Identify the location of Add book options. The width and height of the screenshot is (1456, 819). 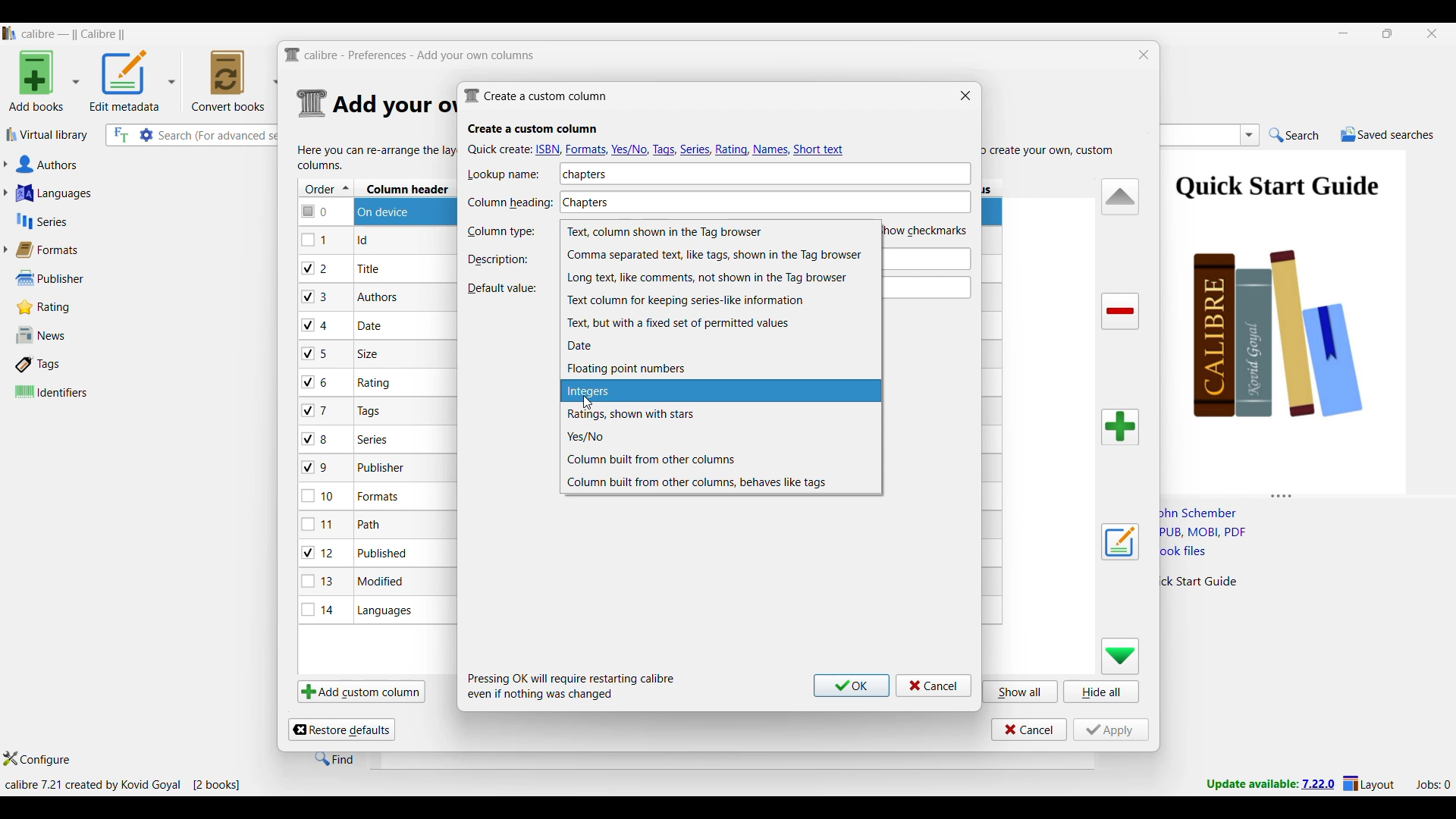
(45, 80).